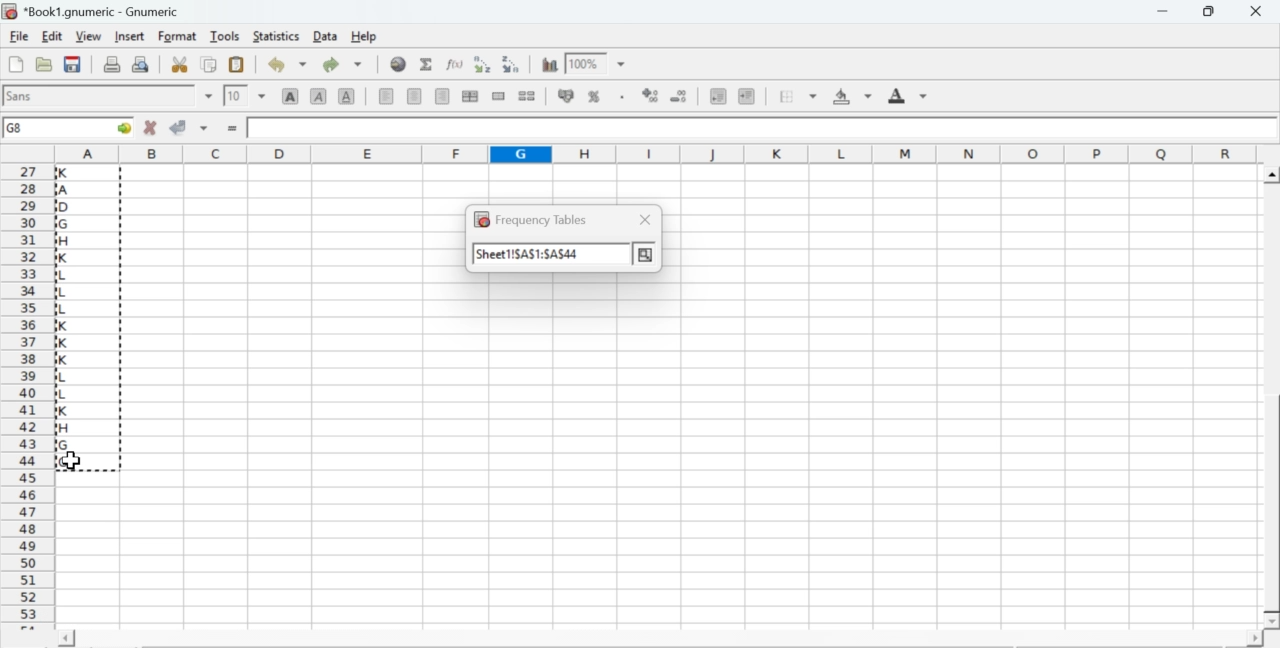 Image resolution: width=1280 pixels, height=648 pixels. Describe the element at coordinates (1210, 12) in the screenshot. I see `restore down` at that location.